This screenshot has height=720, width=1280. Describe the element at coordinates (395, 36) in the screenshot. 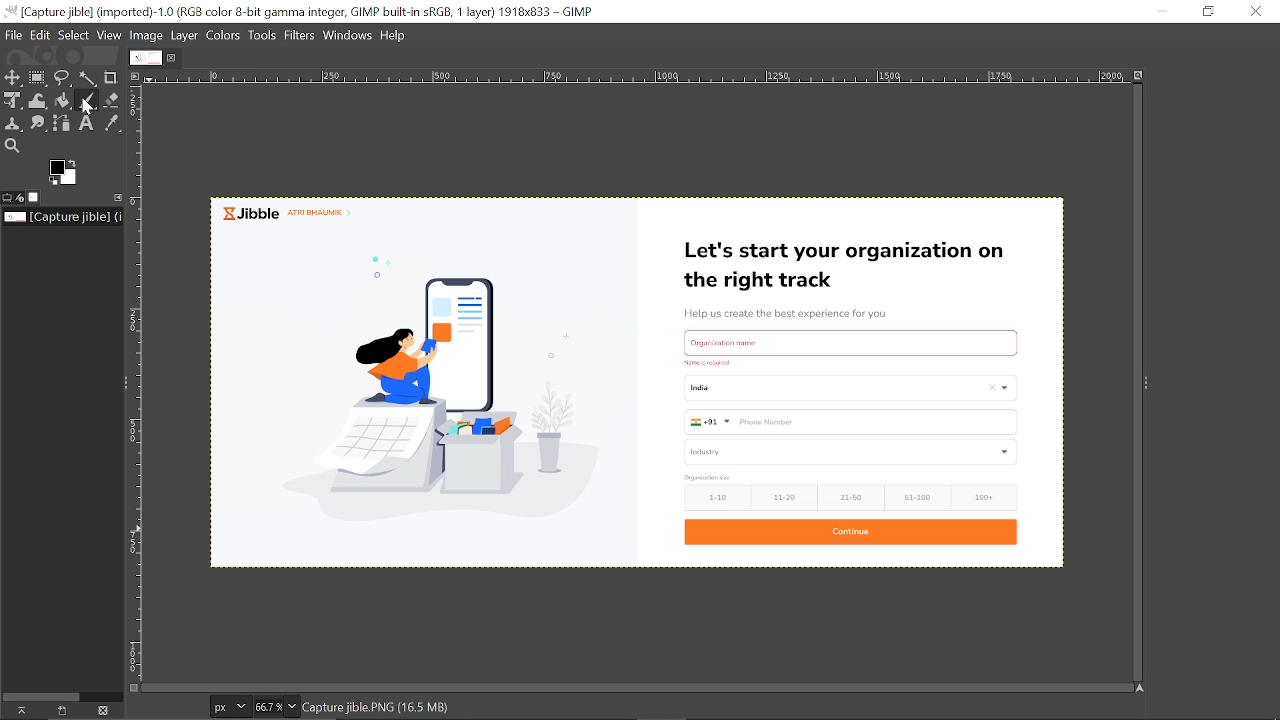

I see `Help` at that location.